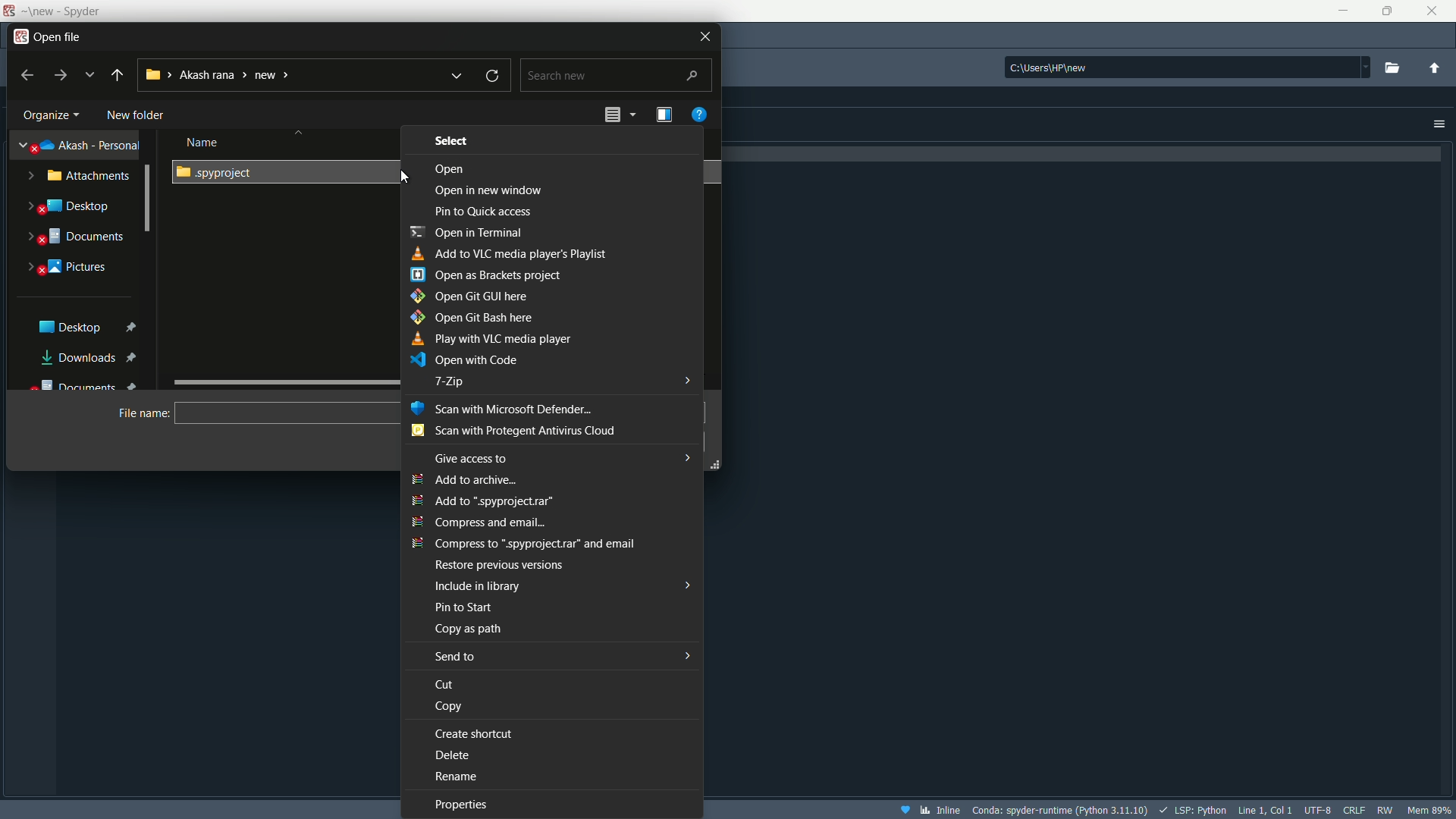  What do you see at coordinates (461, 171) in the screenshot?
I see `Open` at bounding box center [461, 171].